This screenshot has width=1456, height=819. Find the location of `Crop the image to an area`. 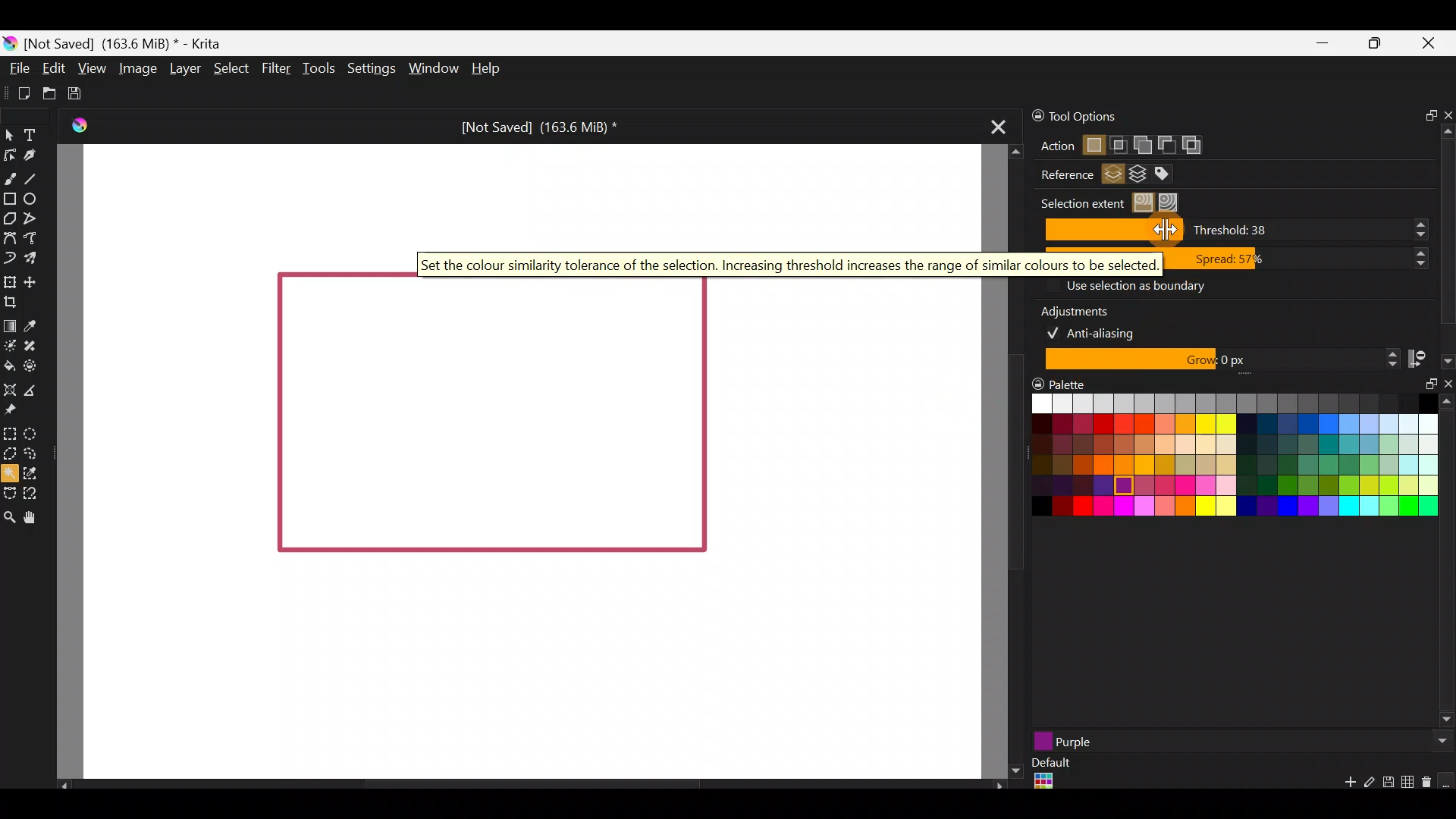

Crop the image to an area is located at coordinates (17, 303).